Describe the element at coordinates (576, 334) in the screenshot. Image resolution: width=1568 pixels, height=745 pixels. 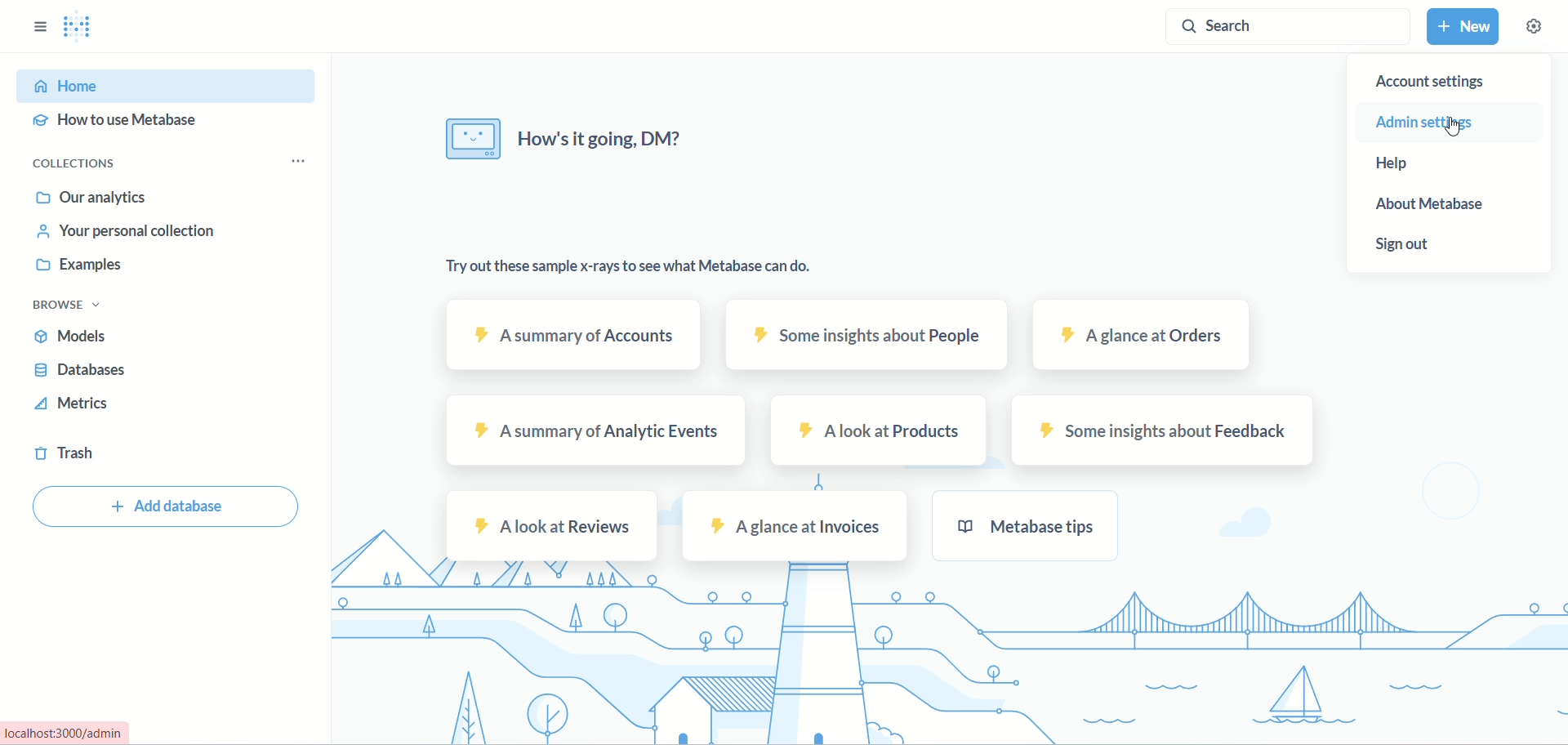
I see `account` at that location.